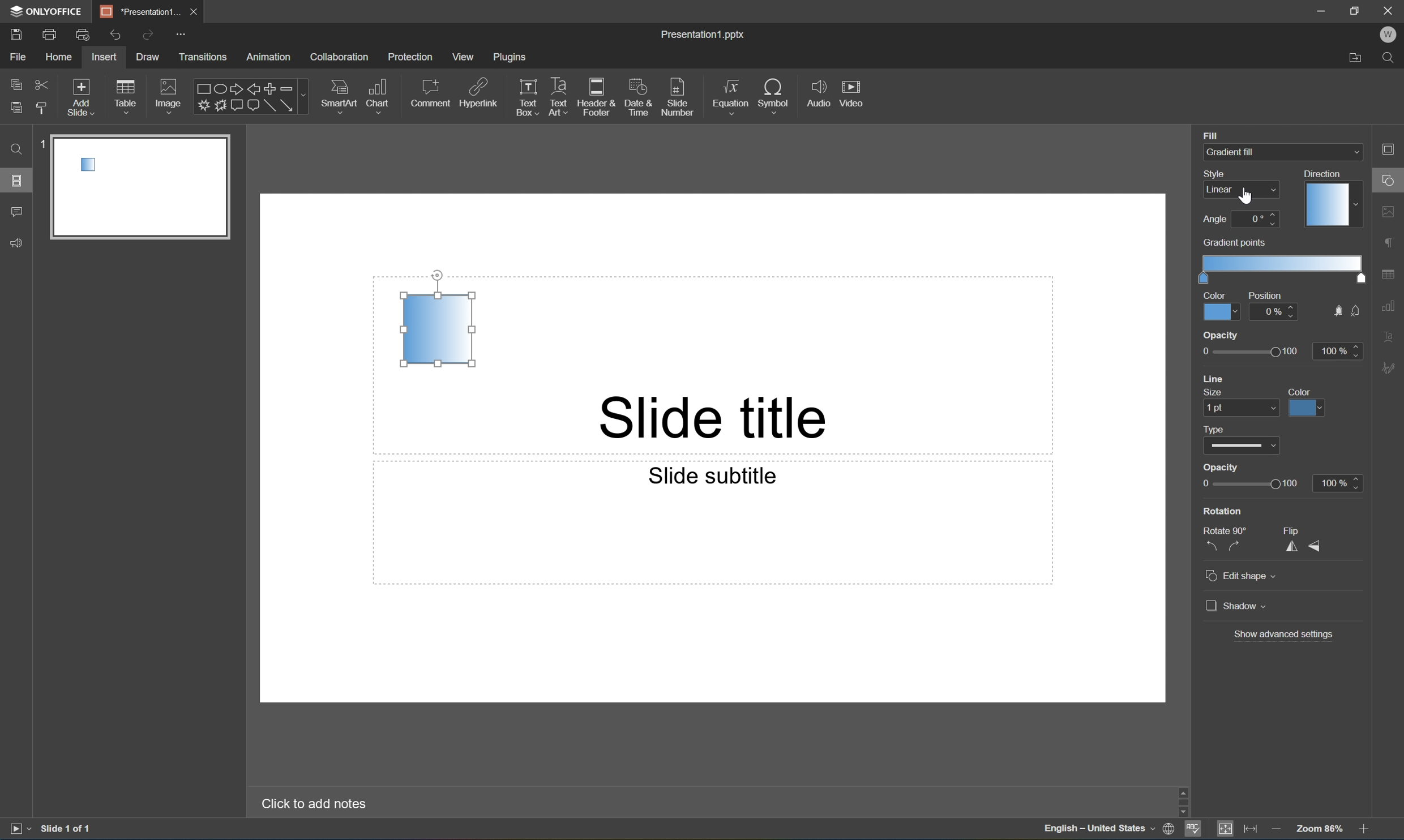 The image size is (1404, 840). Describe the element at coordinates (774, 94) in the screenshot. I see `Symbol` at that location.